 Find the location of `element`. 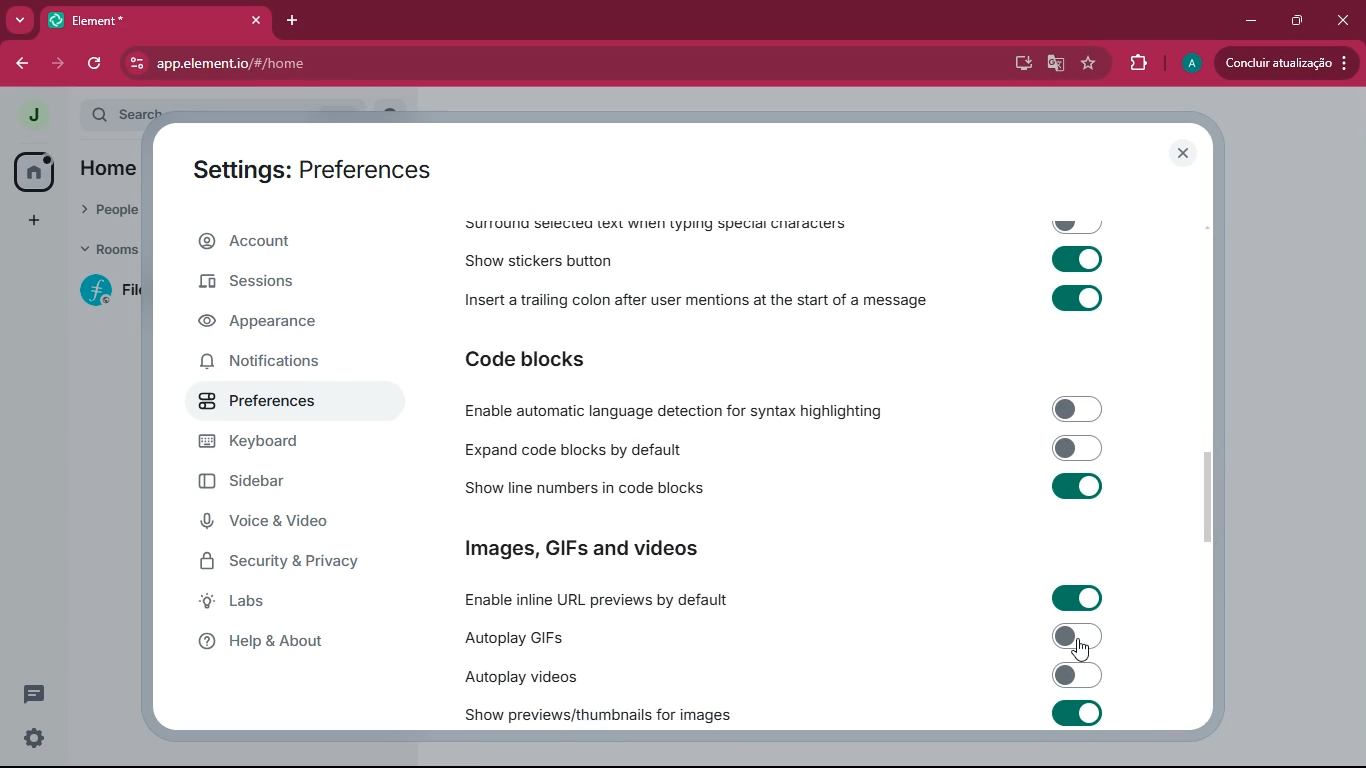

element is located at coordinates (155, 20).